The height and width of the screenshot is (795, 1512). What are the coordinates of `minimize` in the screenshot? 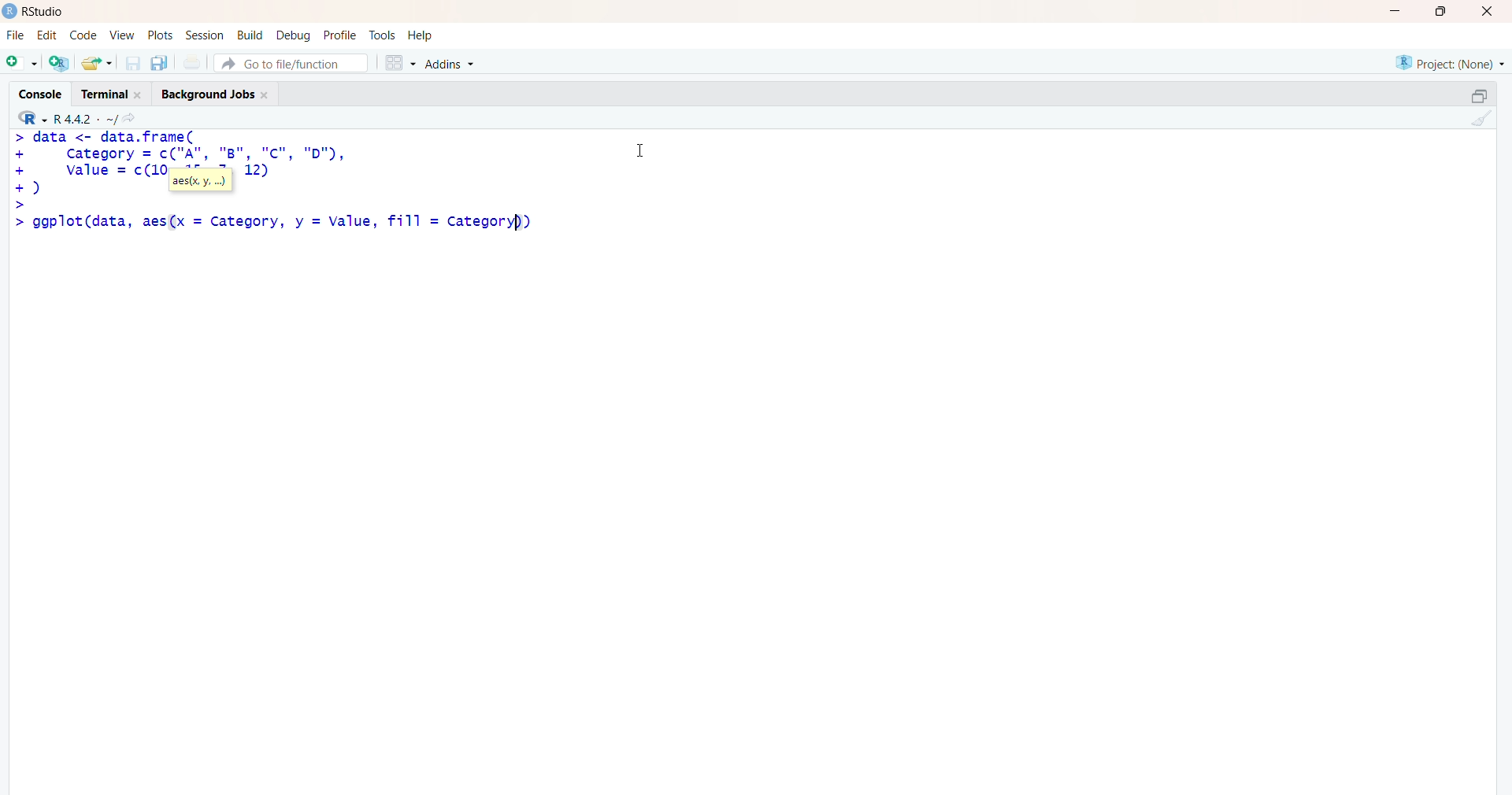 It's located at (1400, 11).